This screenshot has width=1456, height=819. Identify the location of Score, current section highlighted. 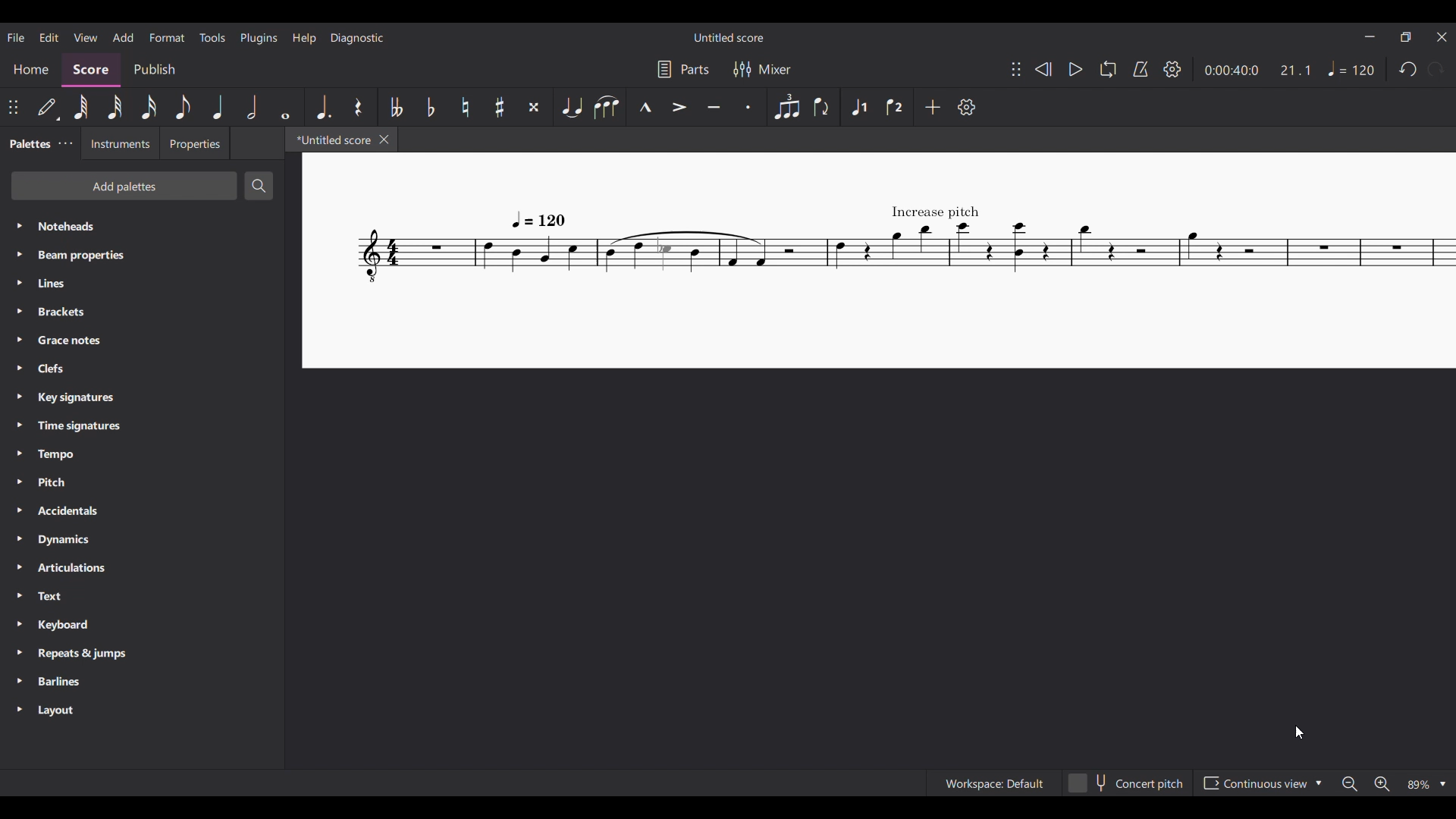
(91, 70).